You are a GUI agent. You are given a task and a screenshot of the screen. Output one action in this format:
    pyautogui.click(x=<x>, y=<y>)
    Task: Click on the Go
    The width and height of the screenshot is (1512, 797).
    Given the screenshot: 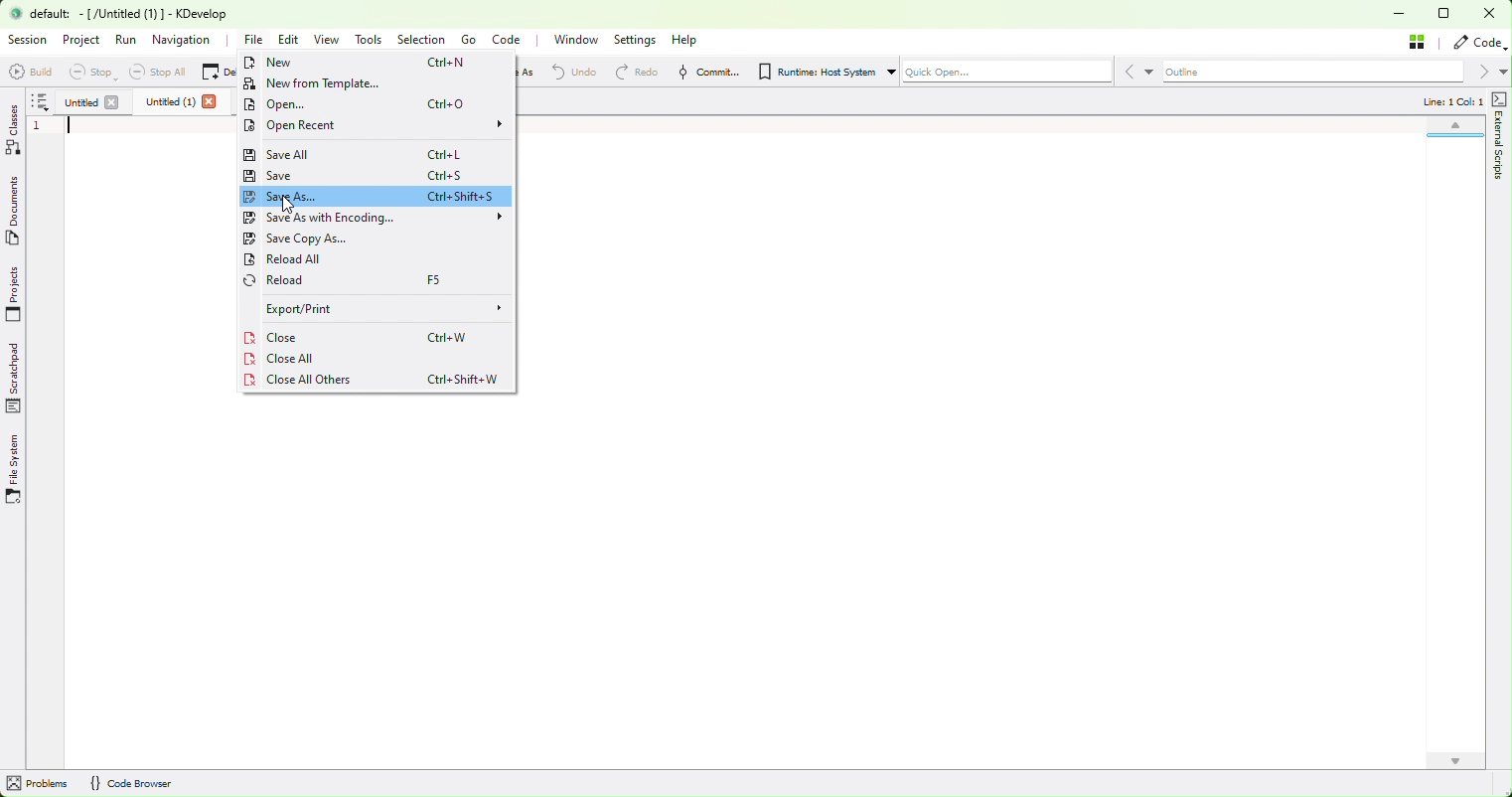 What is the action you would take?
    pyautogui.click(x=469, y=40)
    